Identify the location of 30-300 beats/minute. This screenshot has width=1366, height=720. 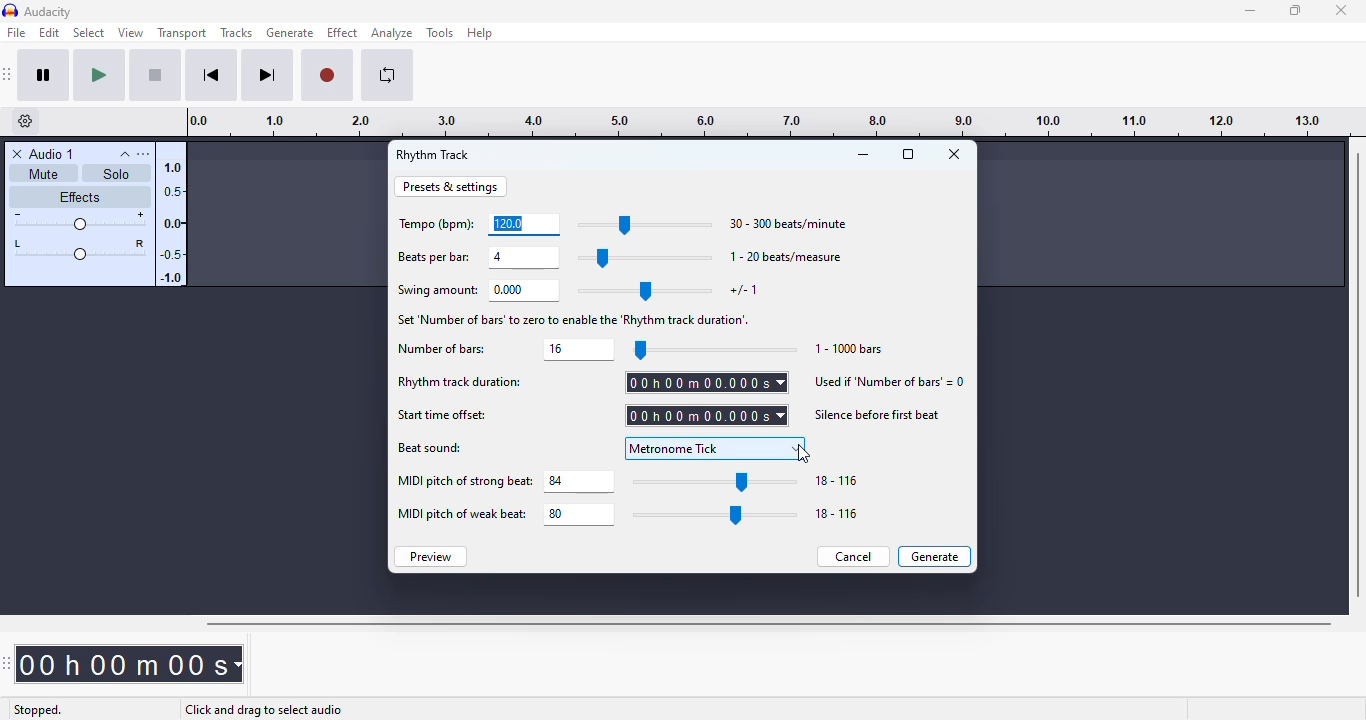
(786, 223).